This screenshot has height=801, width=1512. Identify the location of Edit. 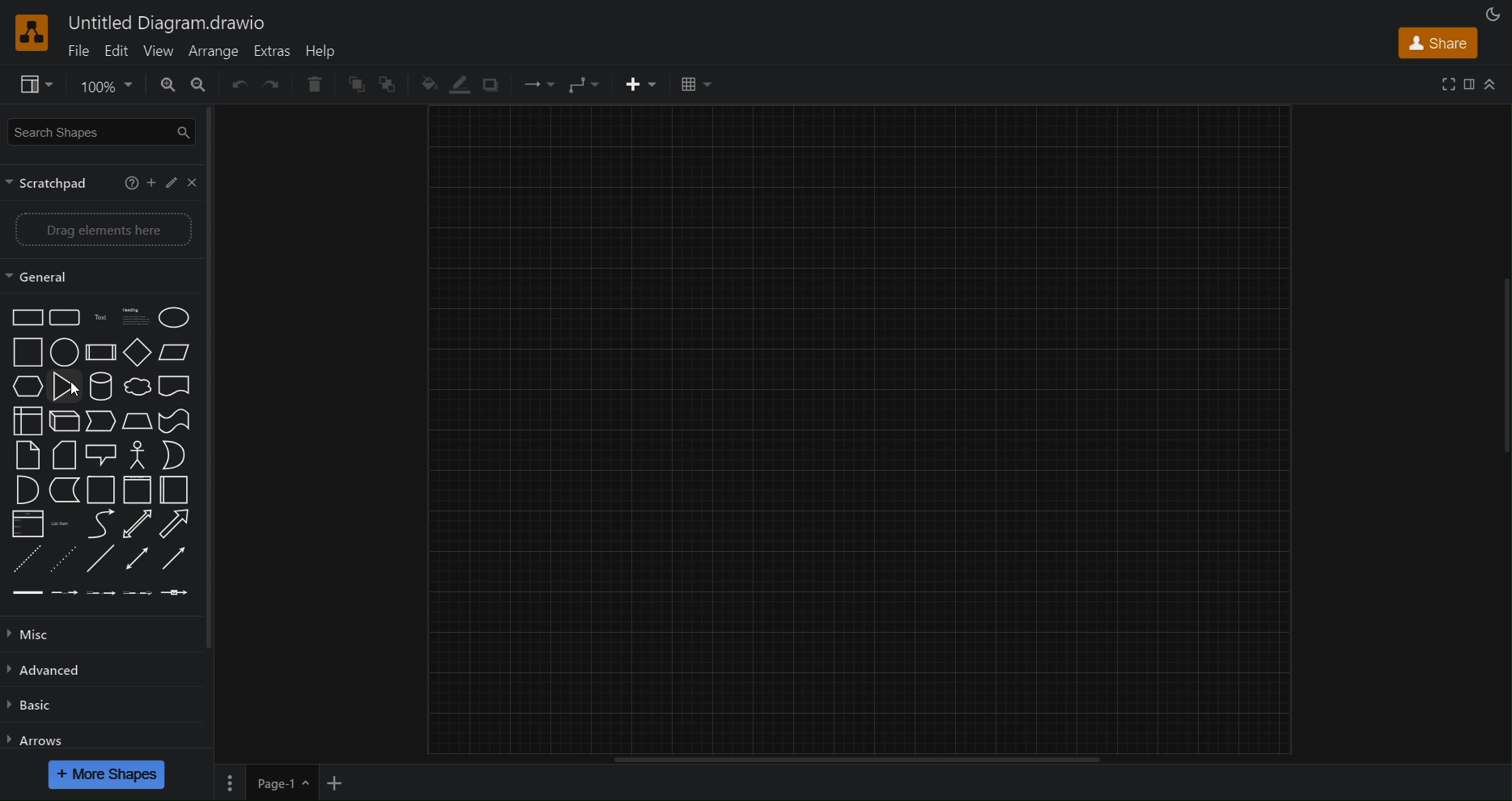
(117, 48).